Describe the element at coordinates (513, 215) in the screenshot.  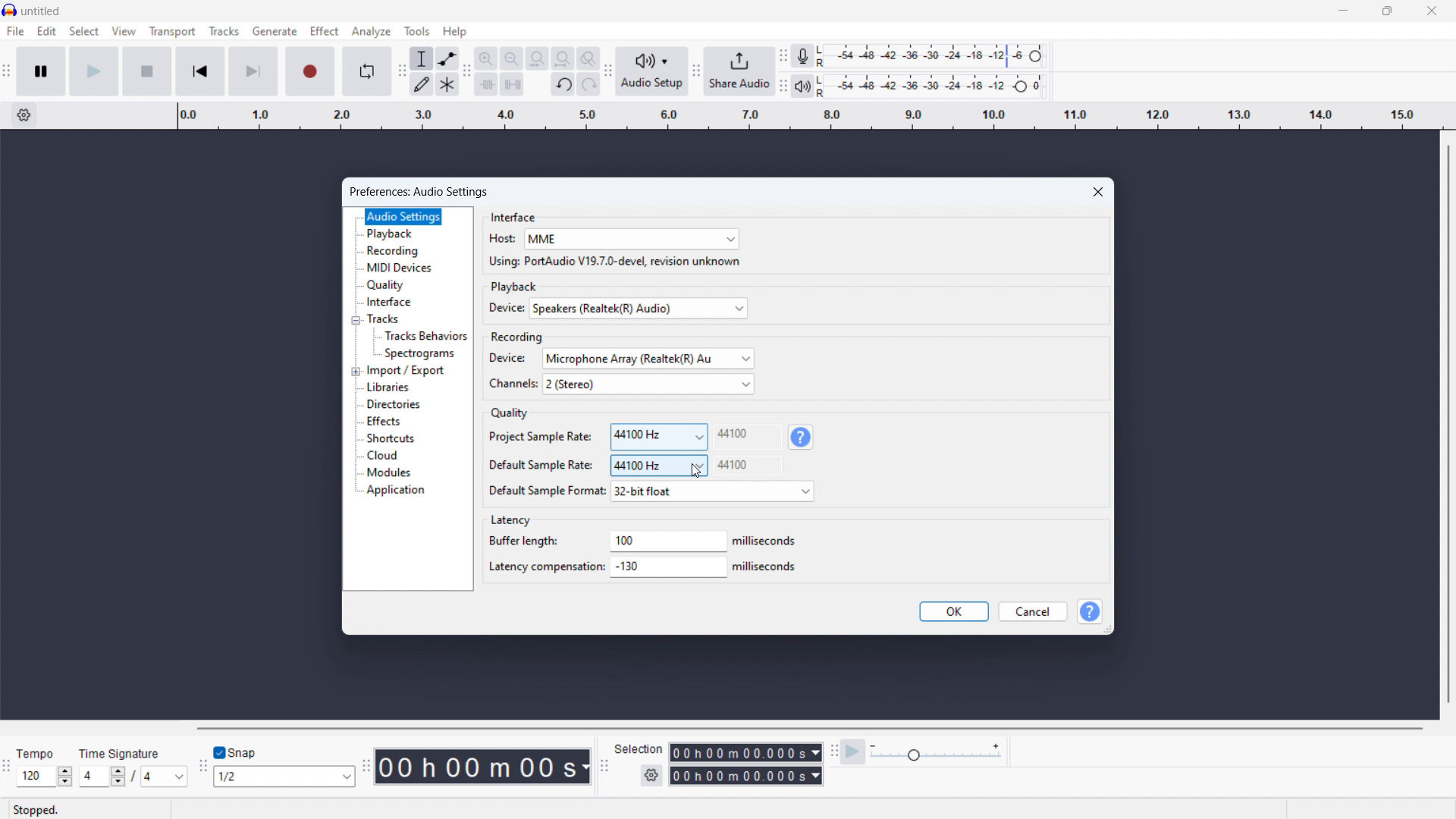
I see `interface` at that location.